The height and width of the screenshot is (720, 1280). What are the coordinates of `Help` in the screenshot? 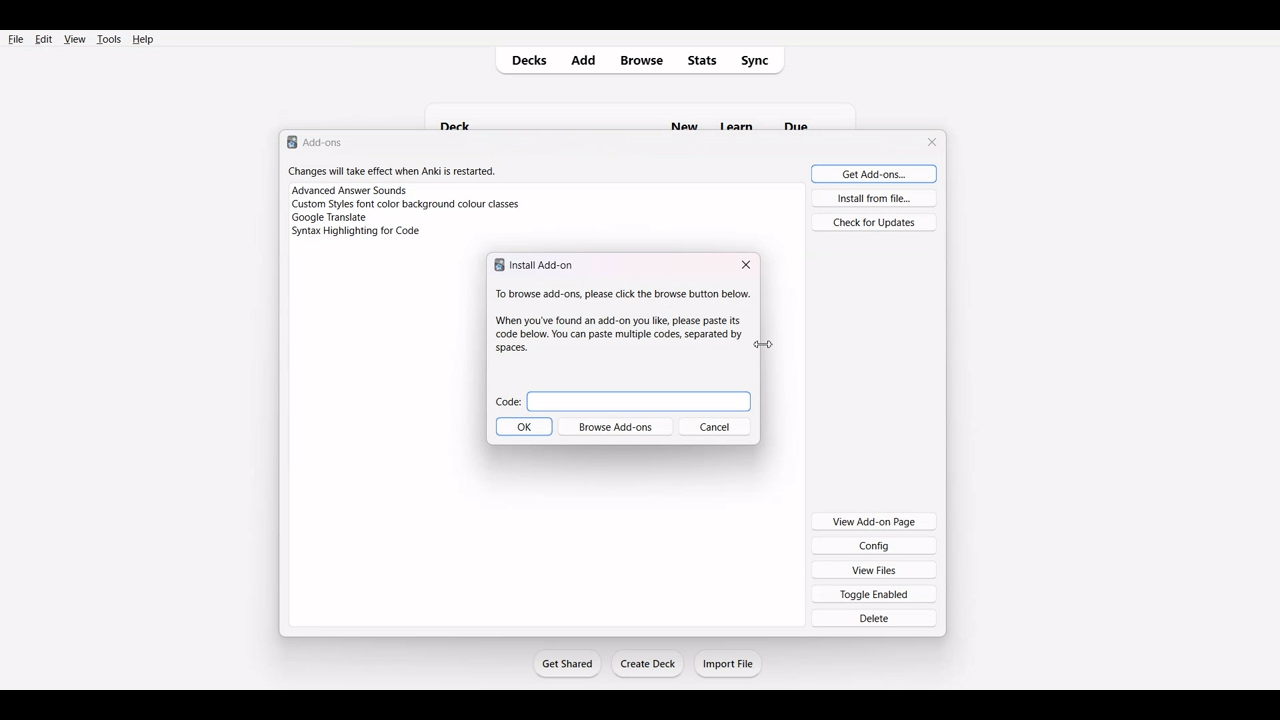 It's located at (142, 39).